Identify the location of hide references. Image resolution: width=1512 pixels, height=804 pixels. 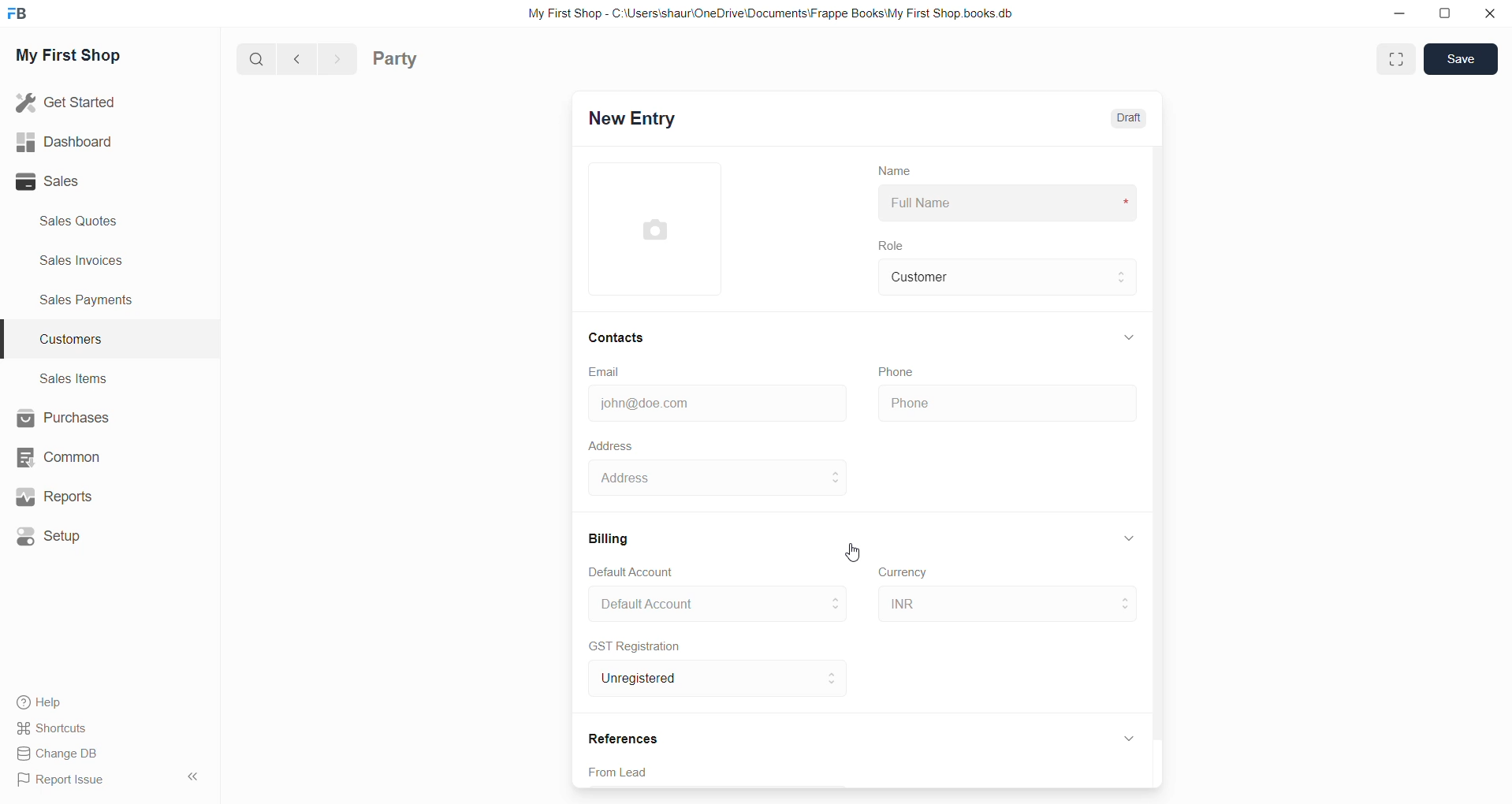
(1130, 737).